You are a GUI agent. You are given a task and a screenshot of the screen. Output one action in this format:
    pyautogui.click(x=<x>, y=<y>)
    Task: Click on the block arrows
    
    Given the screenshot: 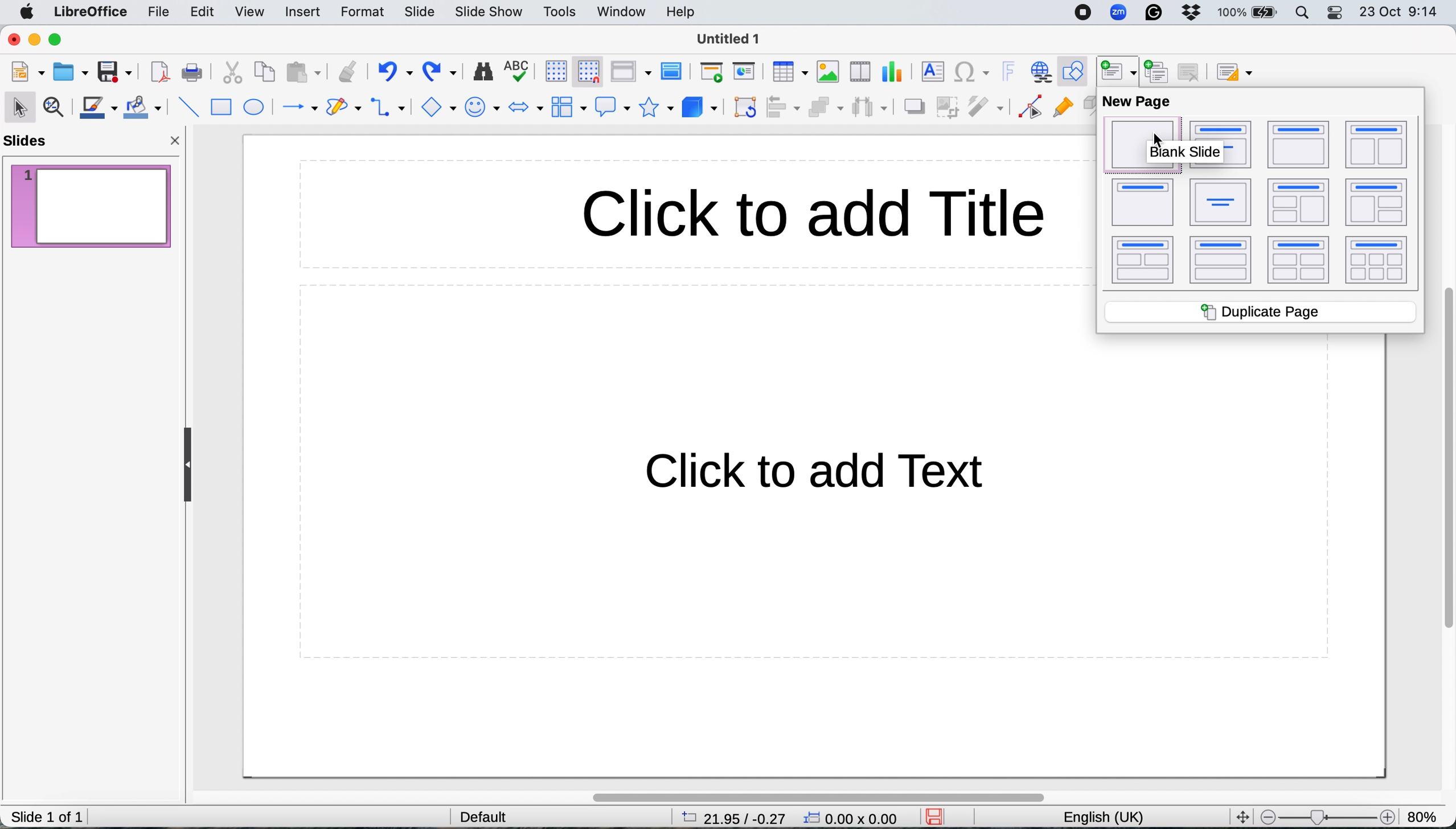 What is the action you would take?
    pyautogui.click(x=526, y=108)
    